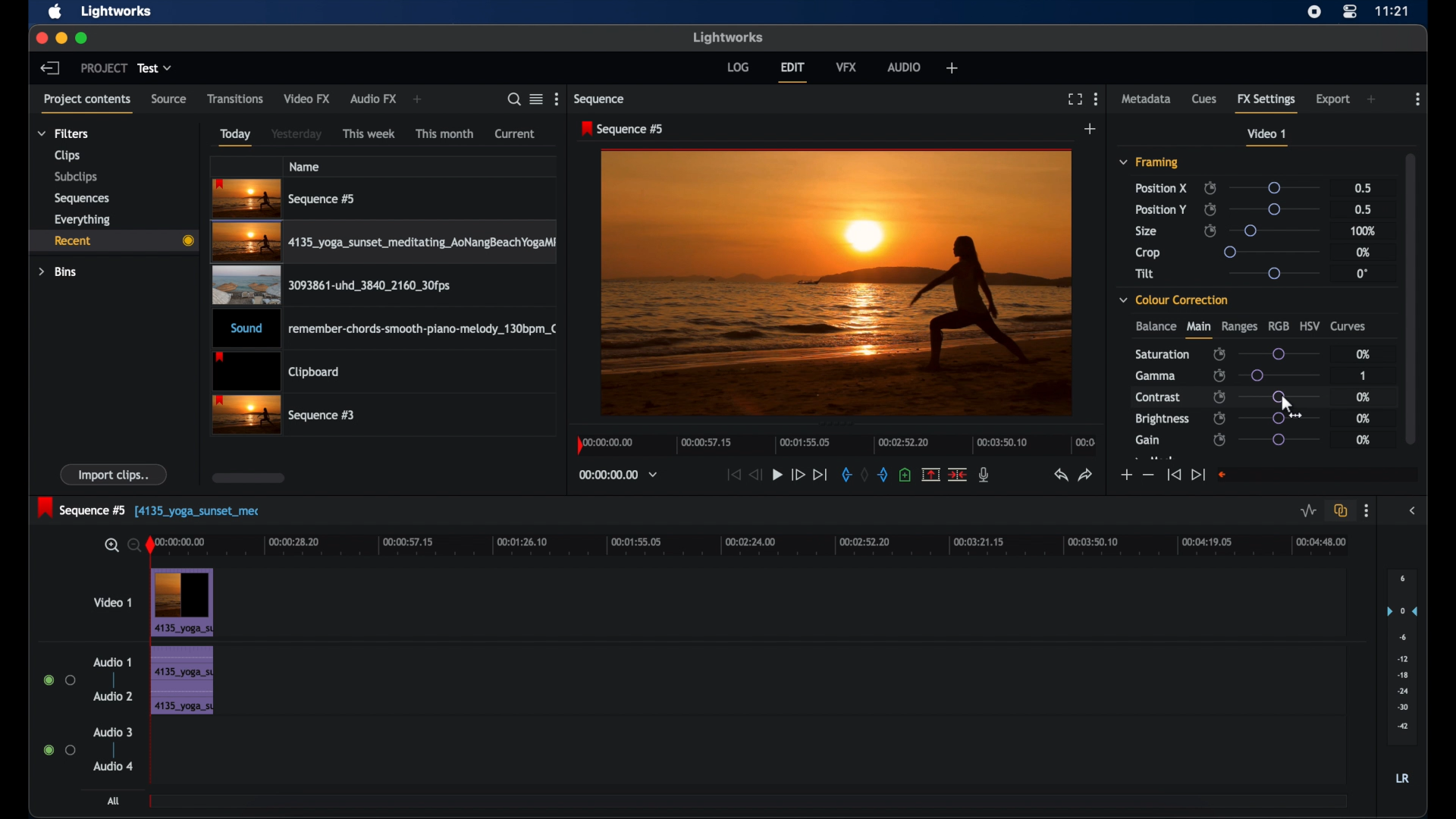 Image resolution: width=1456 pixels, height=819 pixels. I want to click on slider, so click(1279, 440).